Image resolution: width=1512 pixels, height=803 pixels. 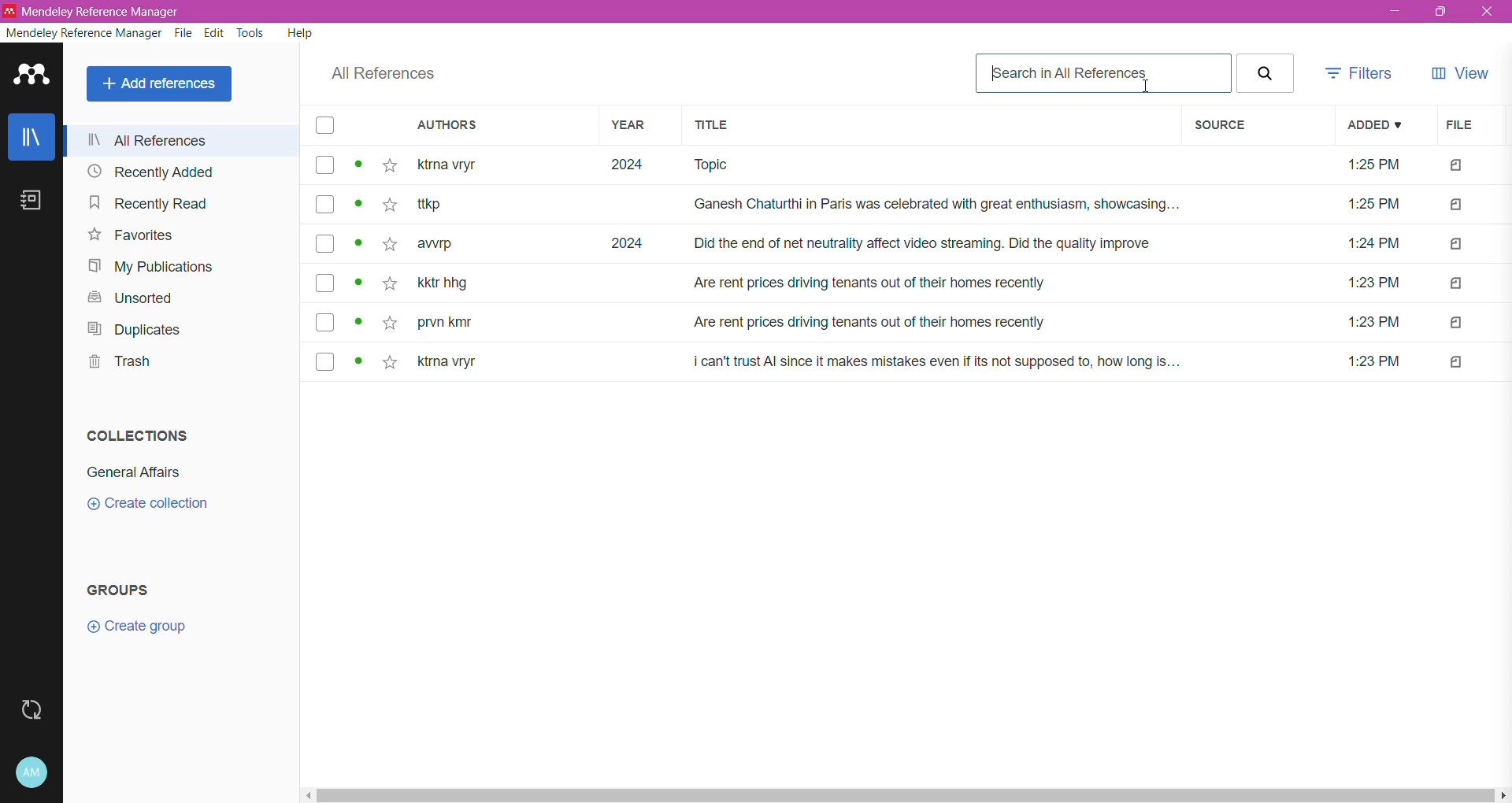 What do you see at coordinates (322, 321) in the screenshot?
I see `select file` at bounding box center [322, 321].